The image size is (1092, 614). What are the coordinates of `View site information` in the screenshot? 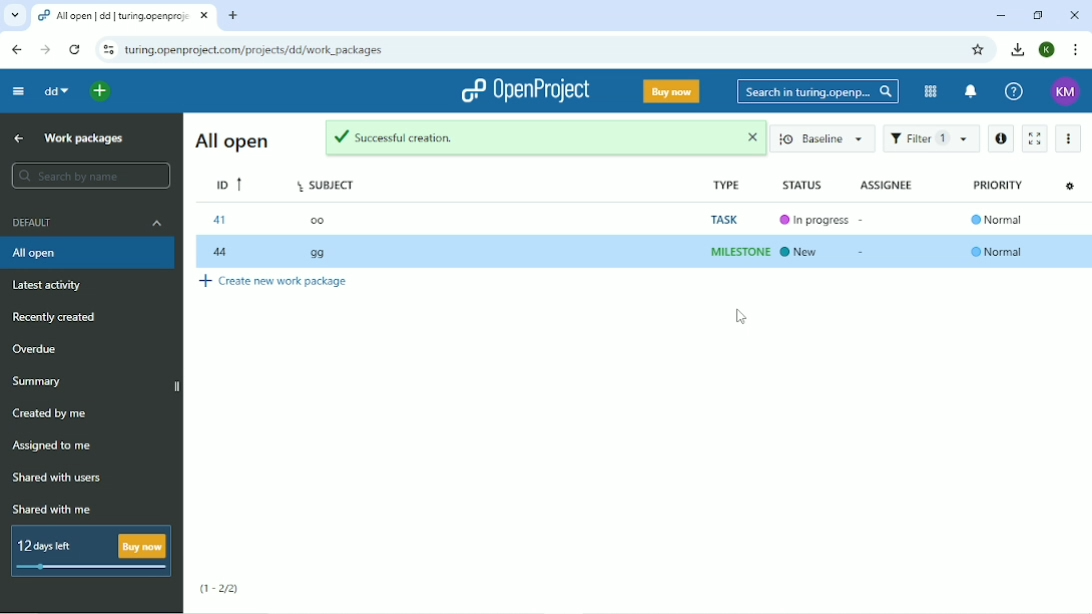 It's located at (108, 51).